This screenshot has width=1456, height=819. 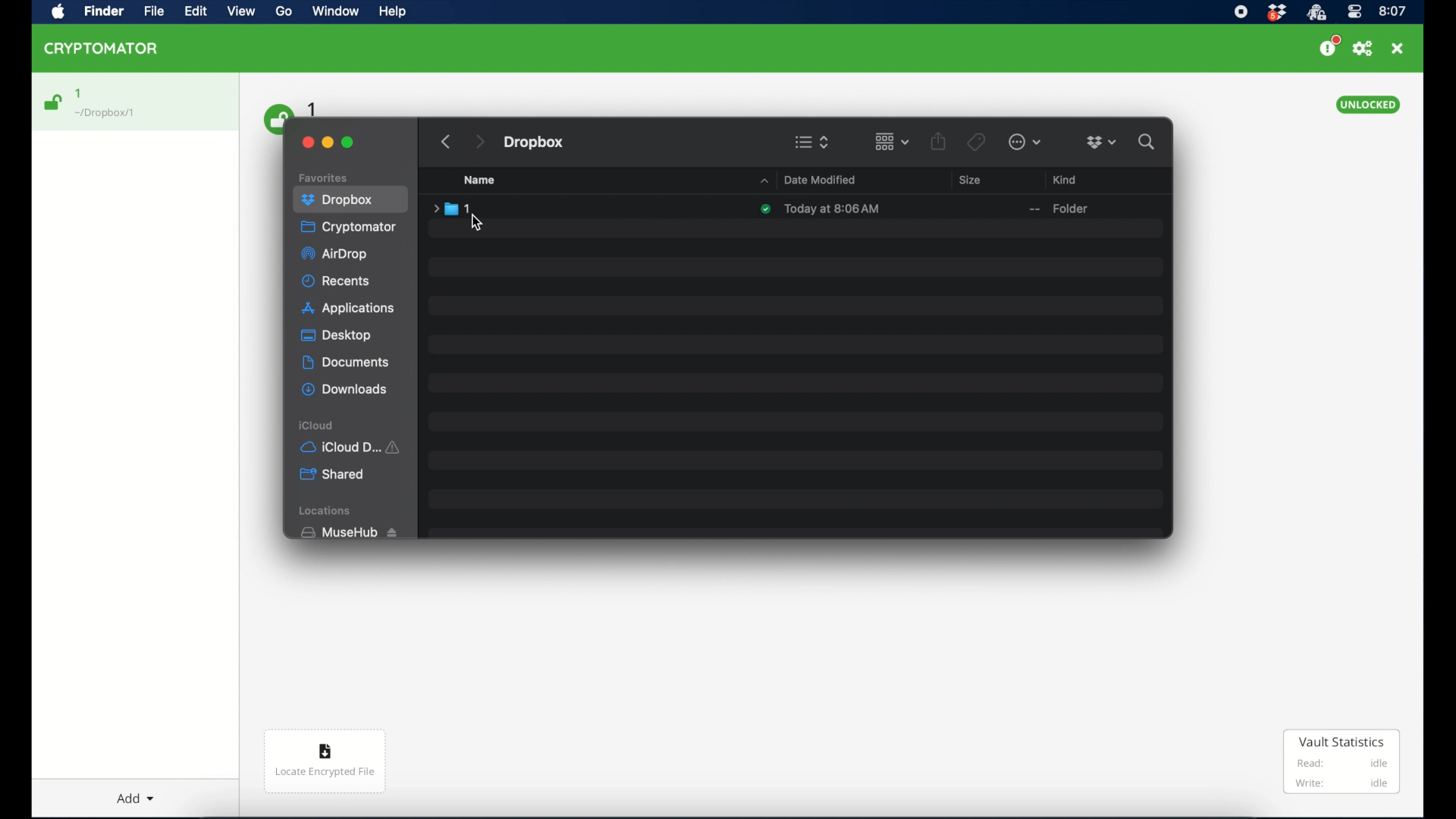 I want to click on --, so click(x=1034, y=210).